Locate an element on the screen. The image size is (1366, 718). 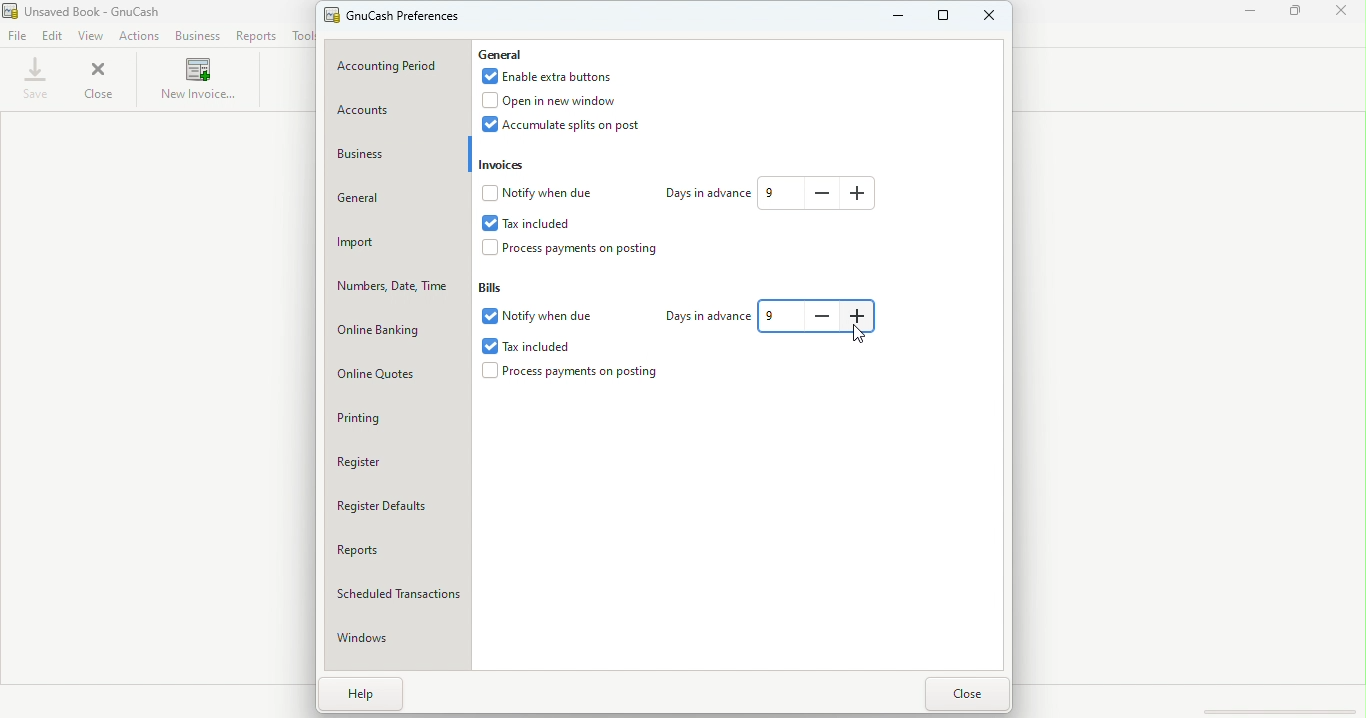
Enable extra buttons is located at coordinates (555, 78).